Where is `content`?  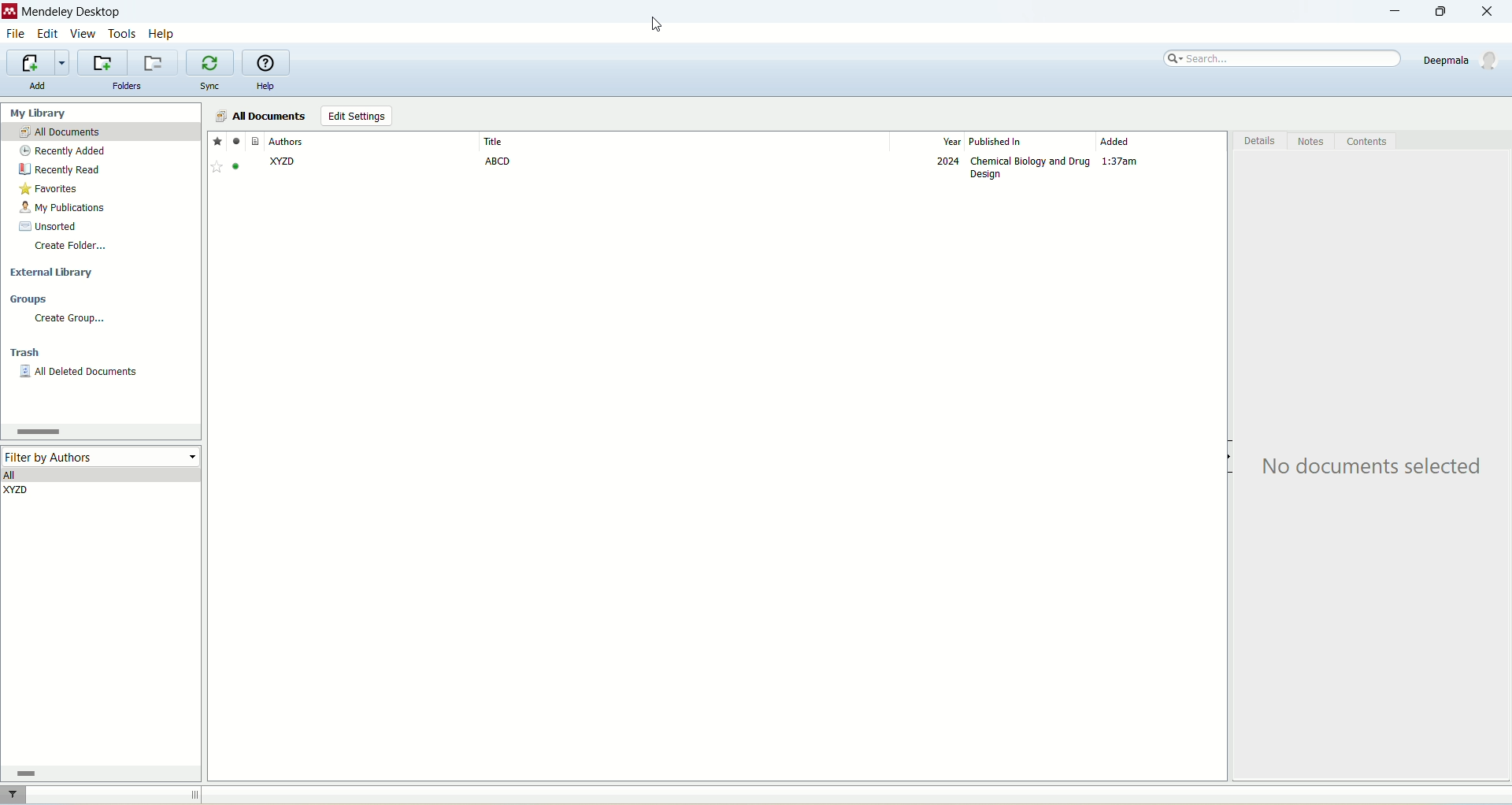 content is located at coordinates (1366, 142).